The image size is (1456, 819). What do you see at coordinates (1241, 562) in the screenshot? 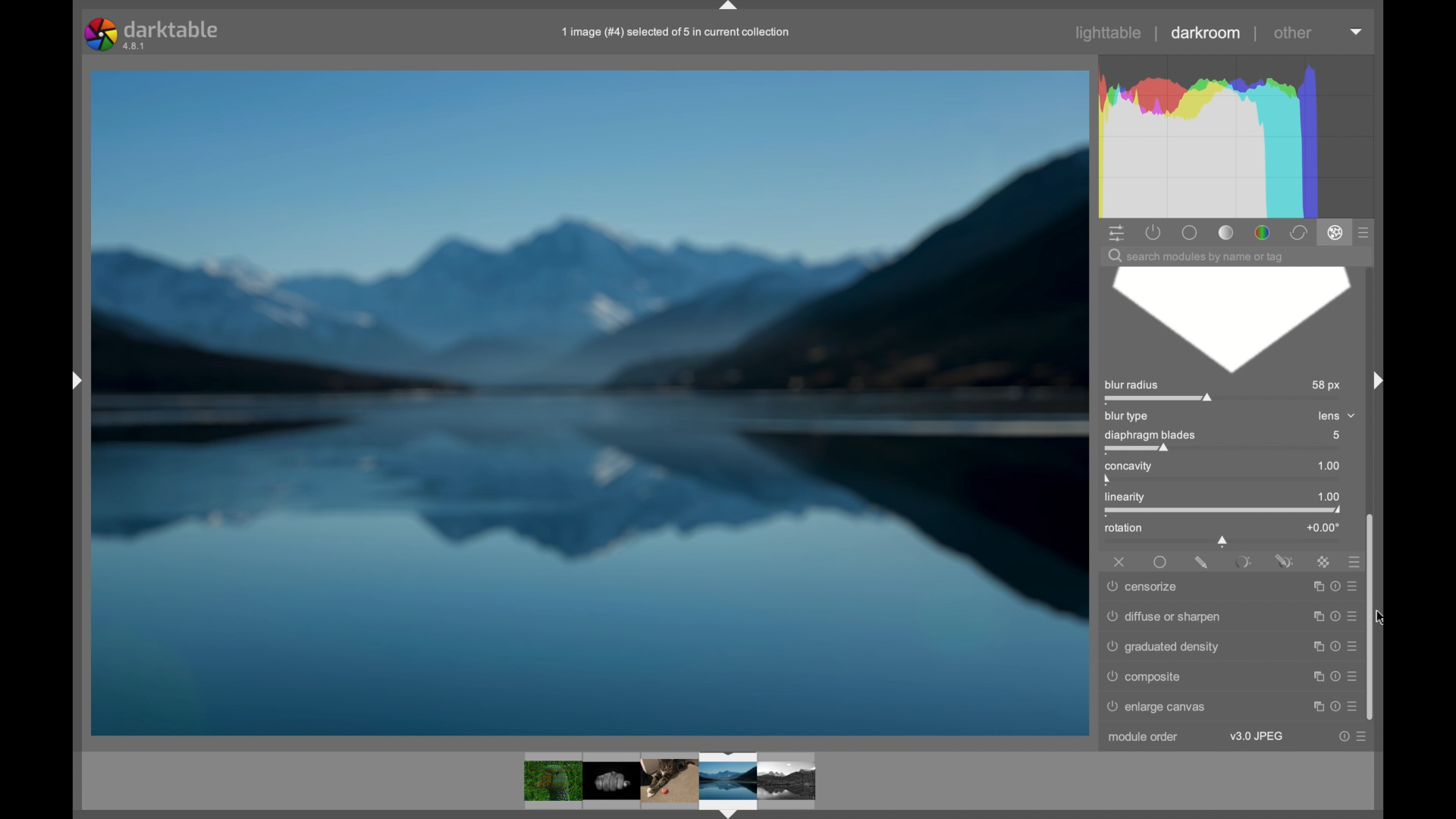
I see `parametricamsk` at bounding box center [1241, 562].